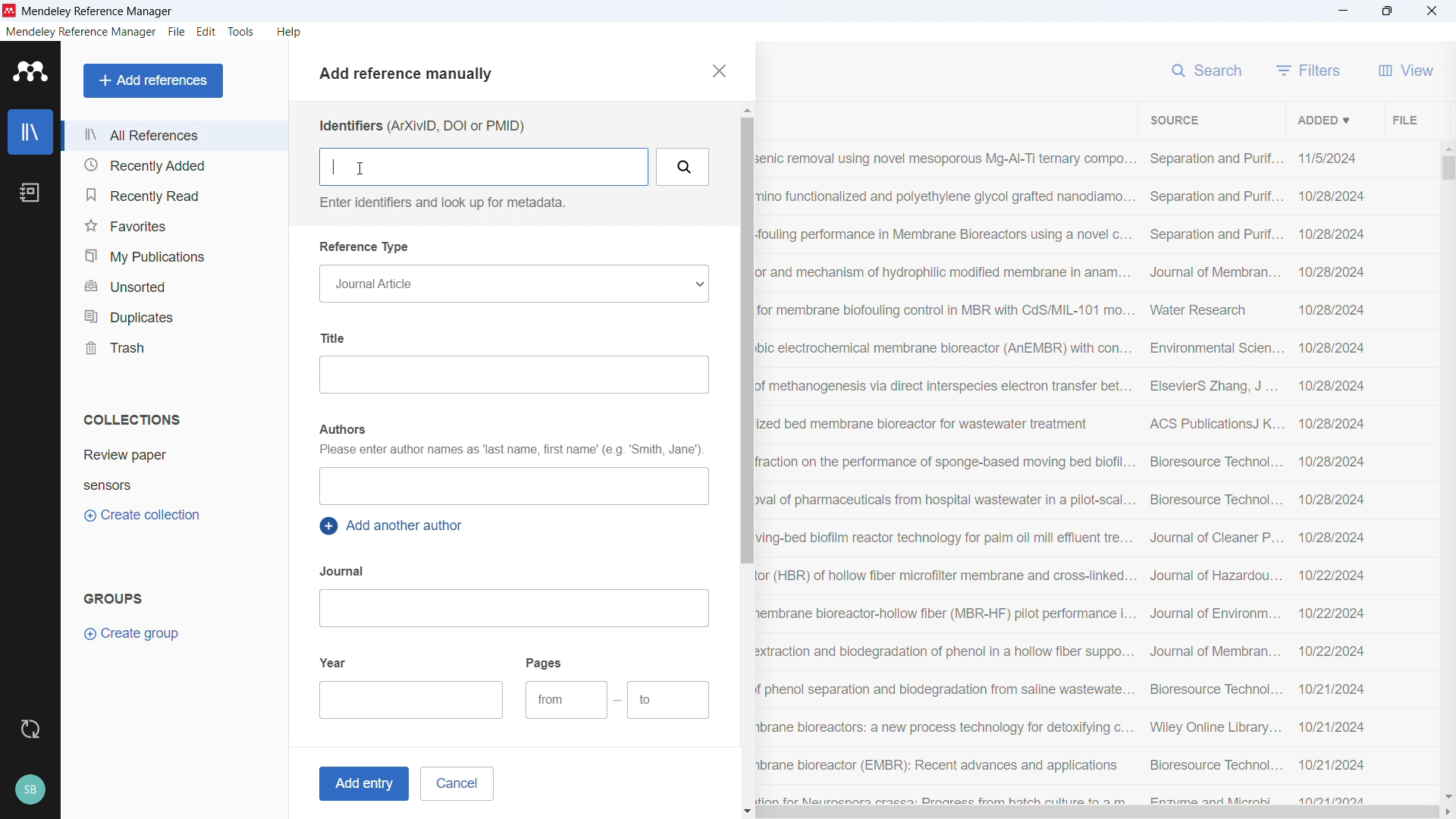 The height and width of the screenshot is (819, 1456). I want to click on Identifiers, so click(421, 126).